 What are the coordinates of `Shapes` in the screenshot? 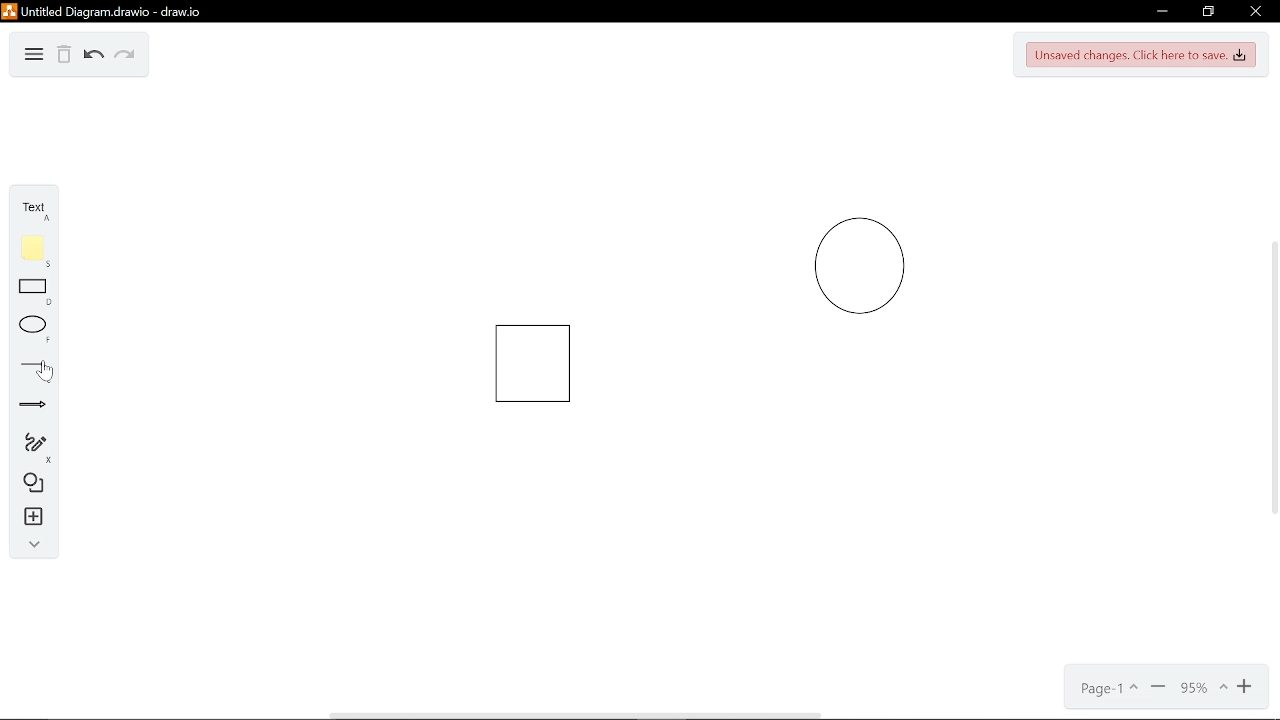 It's located at (26, 483).